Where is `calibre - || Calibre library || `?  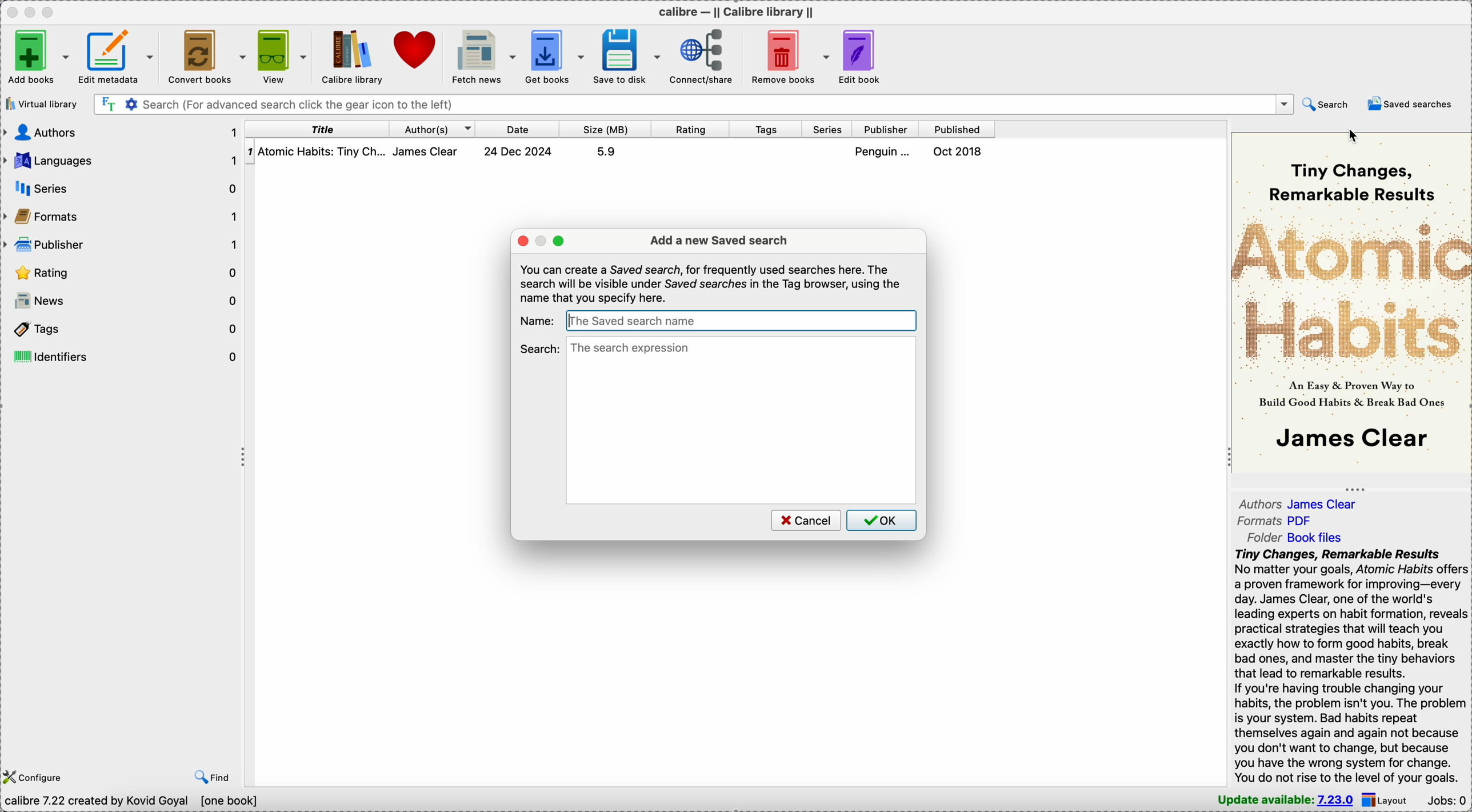
calibre - || Calibre library ||  is located at coordinates (734, 11).